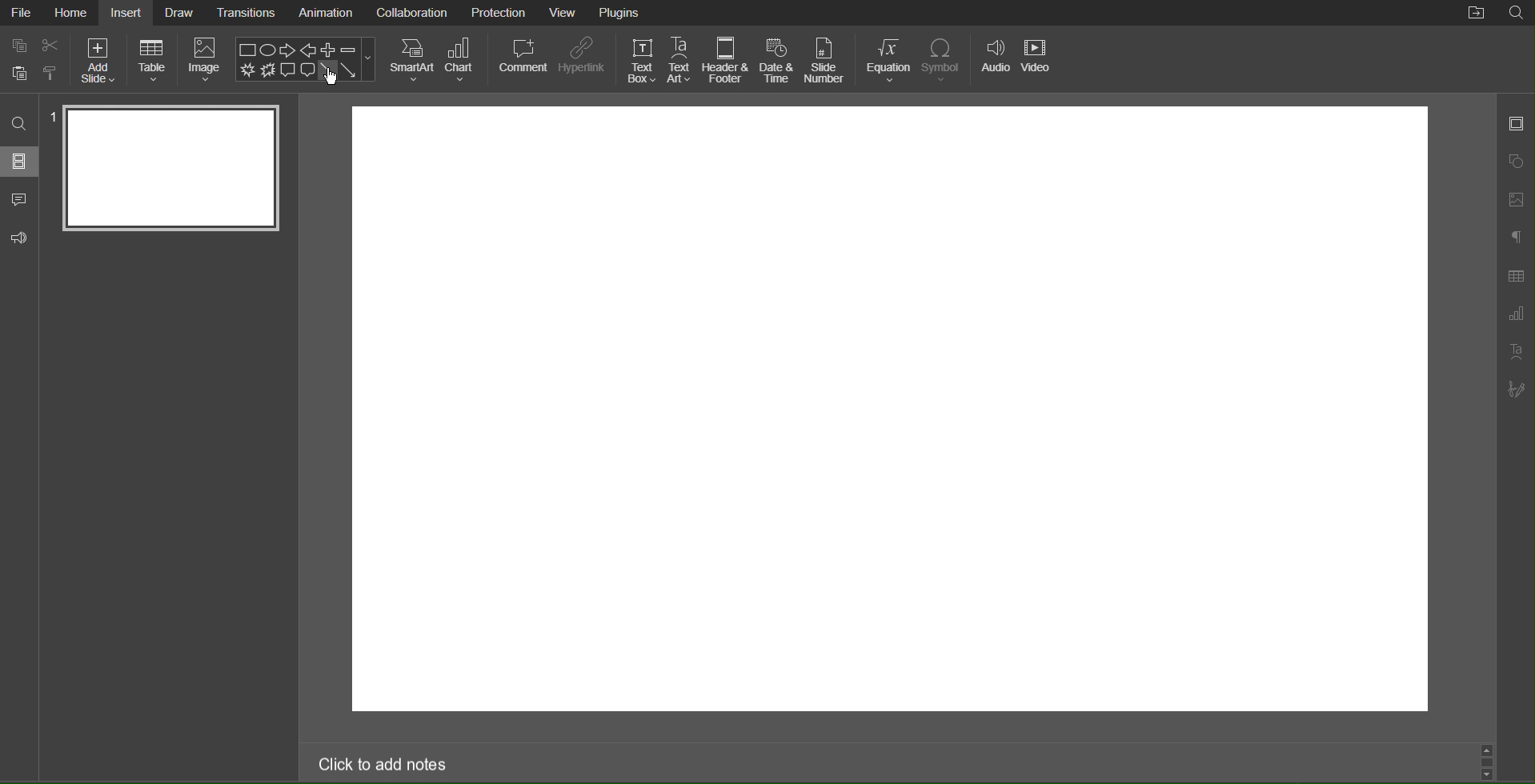  I want to click on Text Art, so click(680, 60).